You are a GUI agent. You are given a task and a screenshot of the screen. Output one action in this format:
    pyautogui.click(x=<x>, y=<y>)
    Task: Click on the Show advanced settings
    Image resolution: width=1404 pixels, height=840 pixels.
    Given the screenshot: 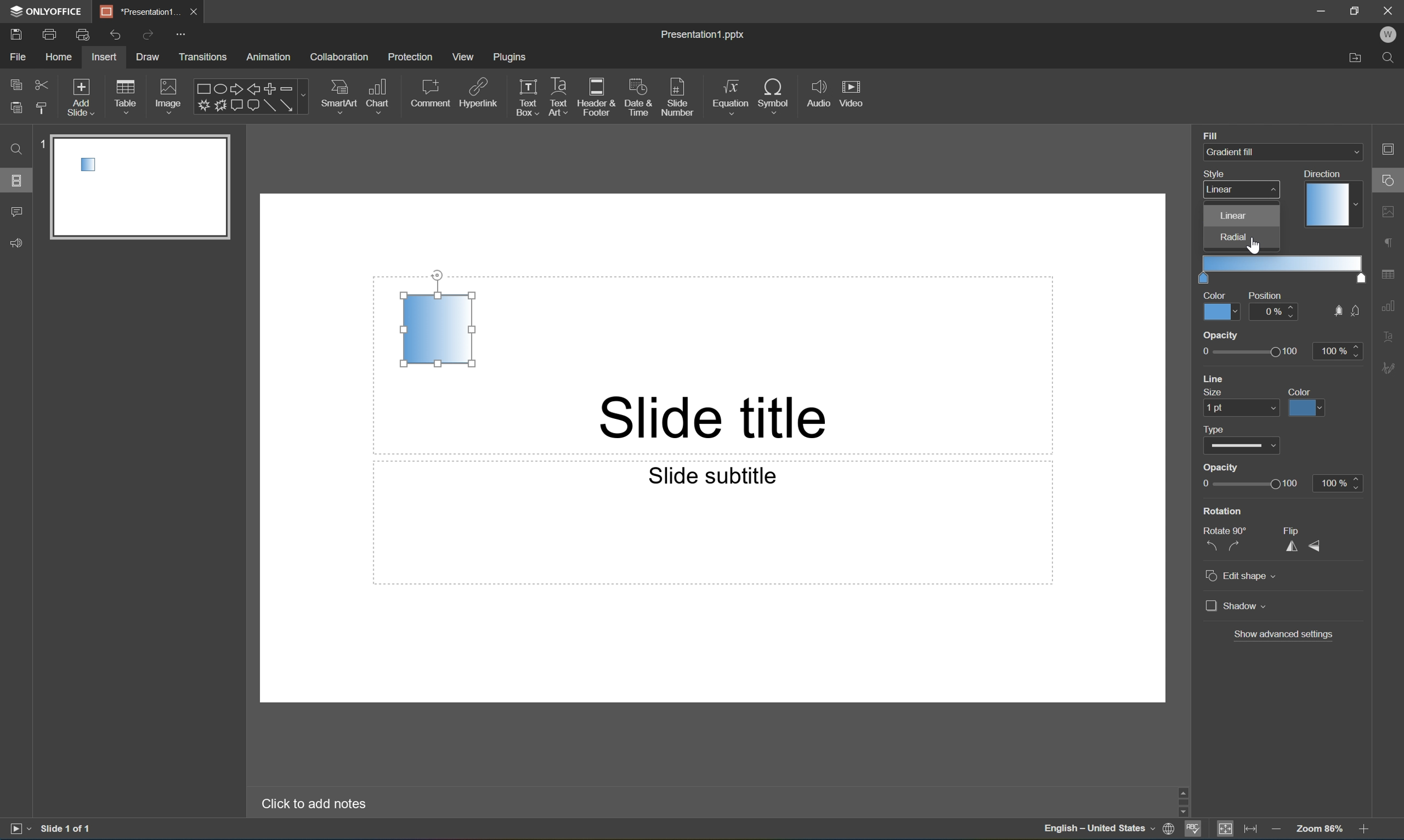 What is the action you would take?
    pyautogui.click(x=1282, y=636)
    